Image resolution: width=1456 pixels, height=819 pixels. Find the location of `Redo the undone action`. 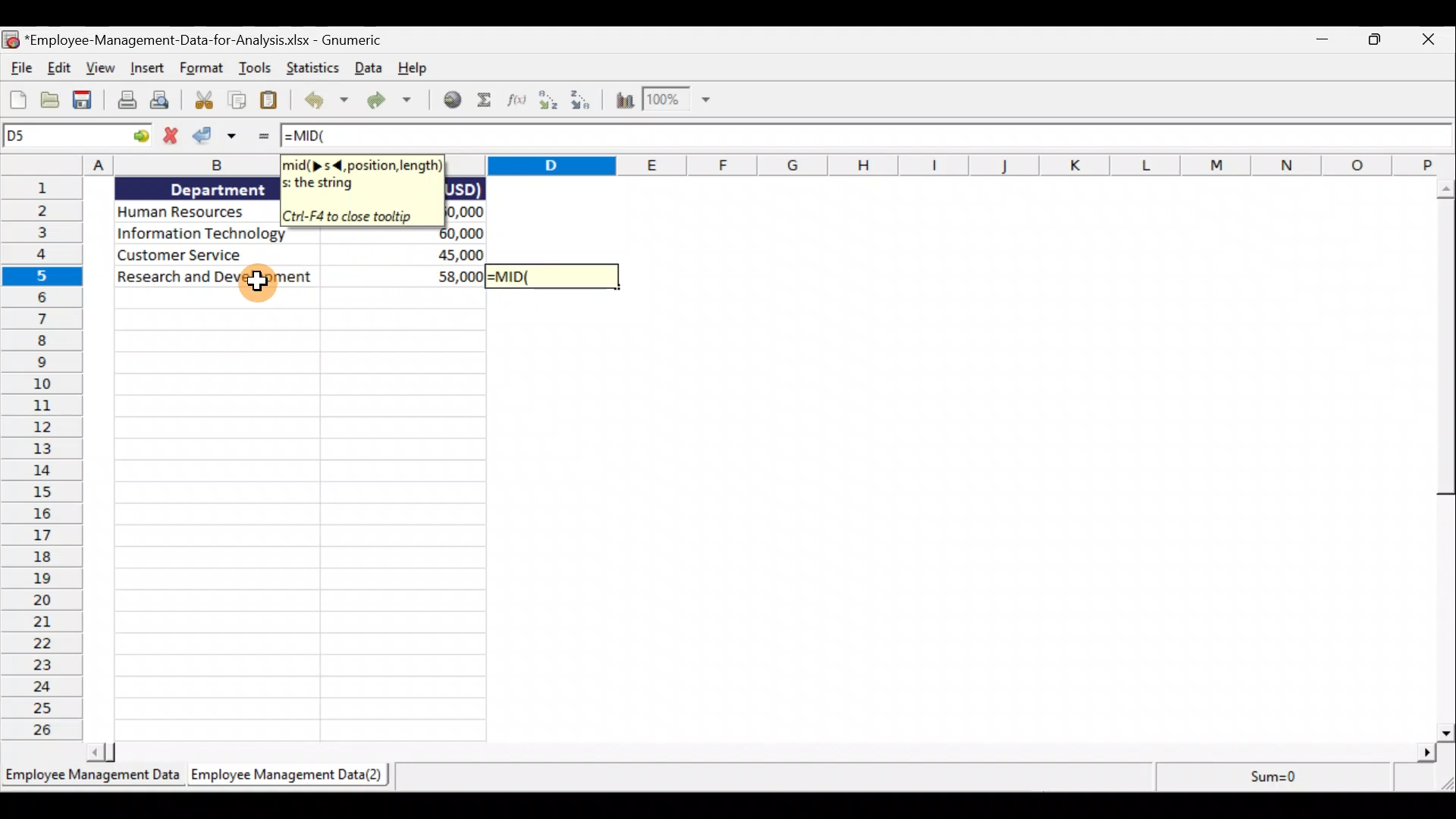

Redo the undone action is located at coordinates (392, 100).